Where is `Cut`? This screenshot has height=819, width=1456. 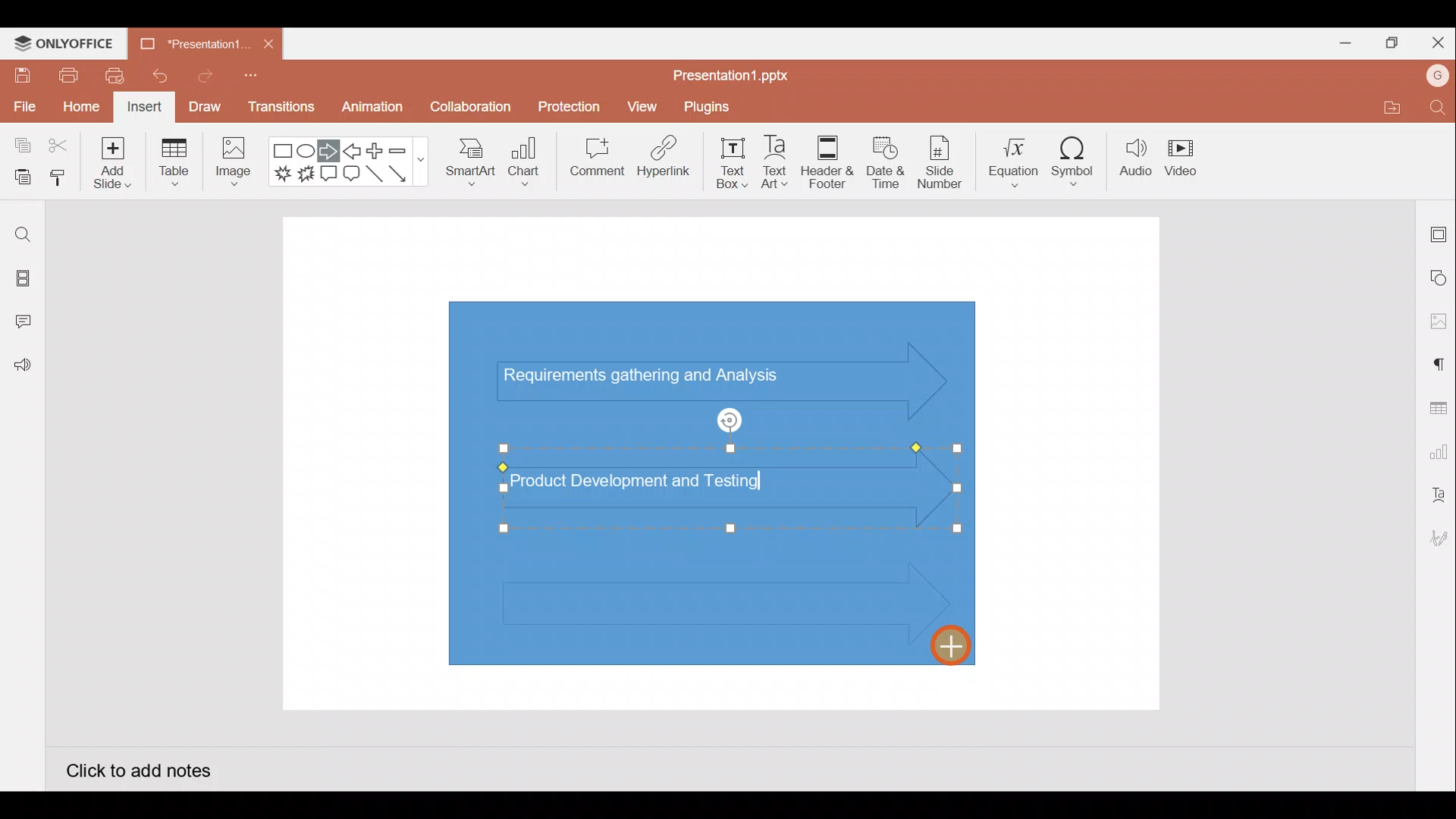
Cut is located at coordinates (59, 146).